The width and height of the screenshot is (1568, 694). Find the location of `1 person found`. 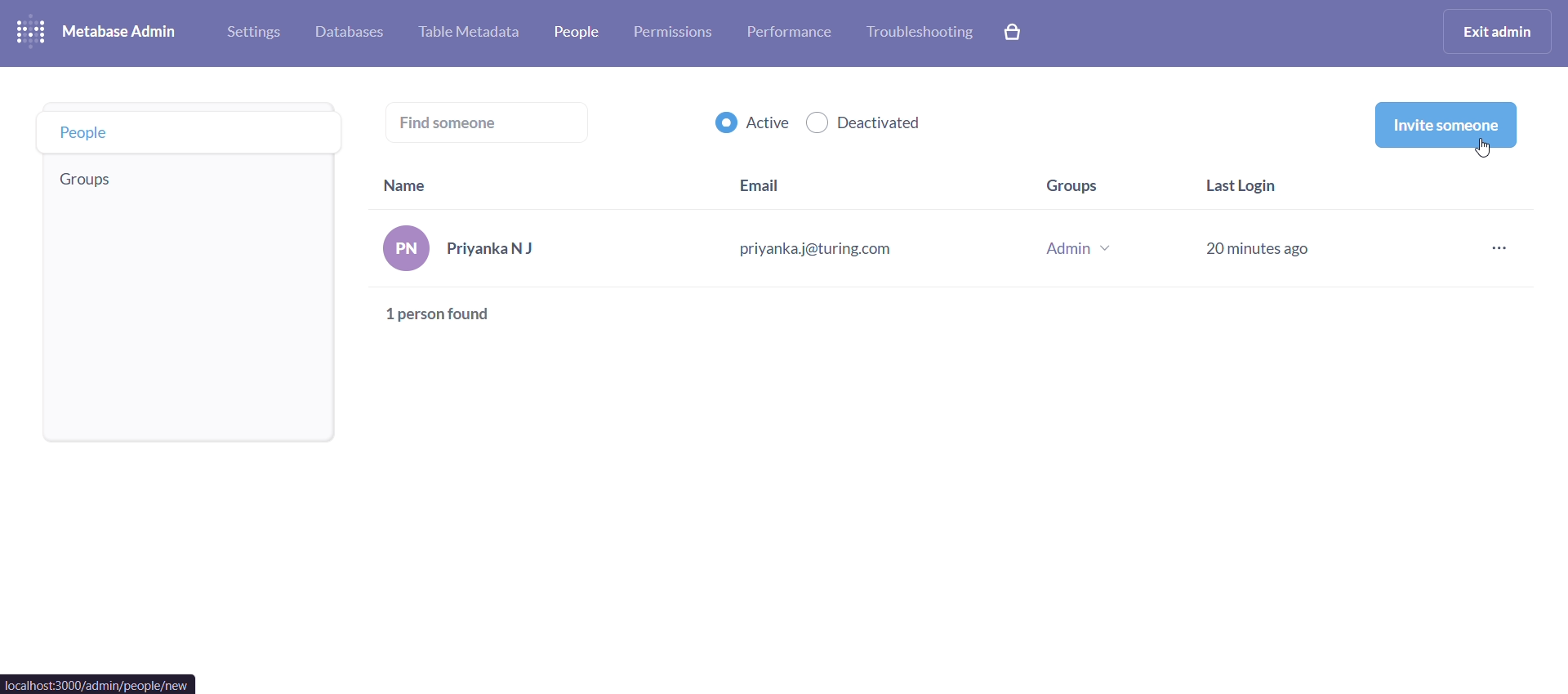

1 person found is located at coordinates (439, 314).